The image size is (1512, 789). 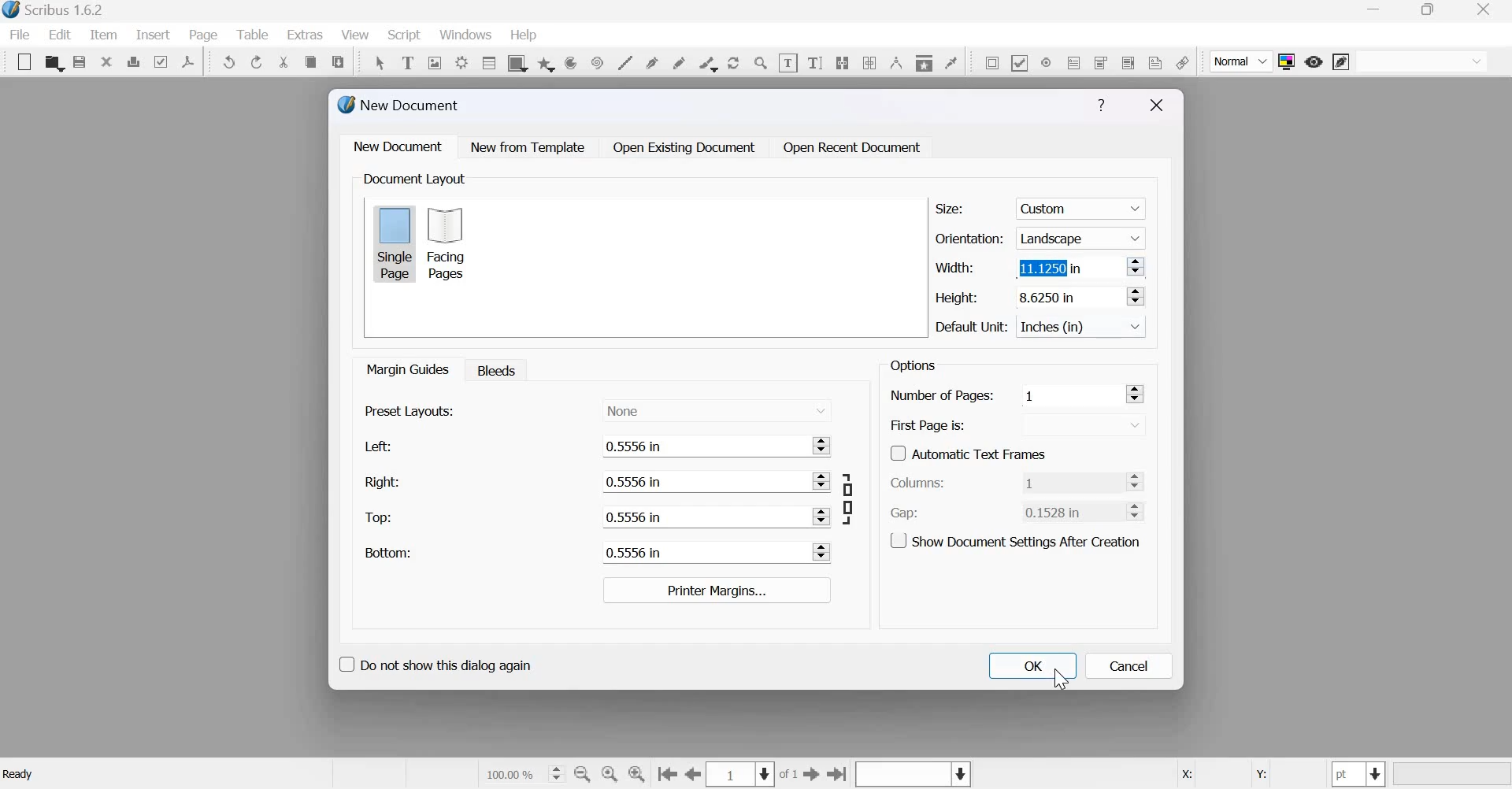 What do you see at coordinates (24, 35) in the screenshot?
I see `File` at bounding box center [24, 35].